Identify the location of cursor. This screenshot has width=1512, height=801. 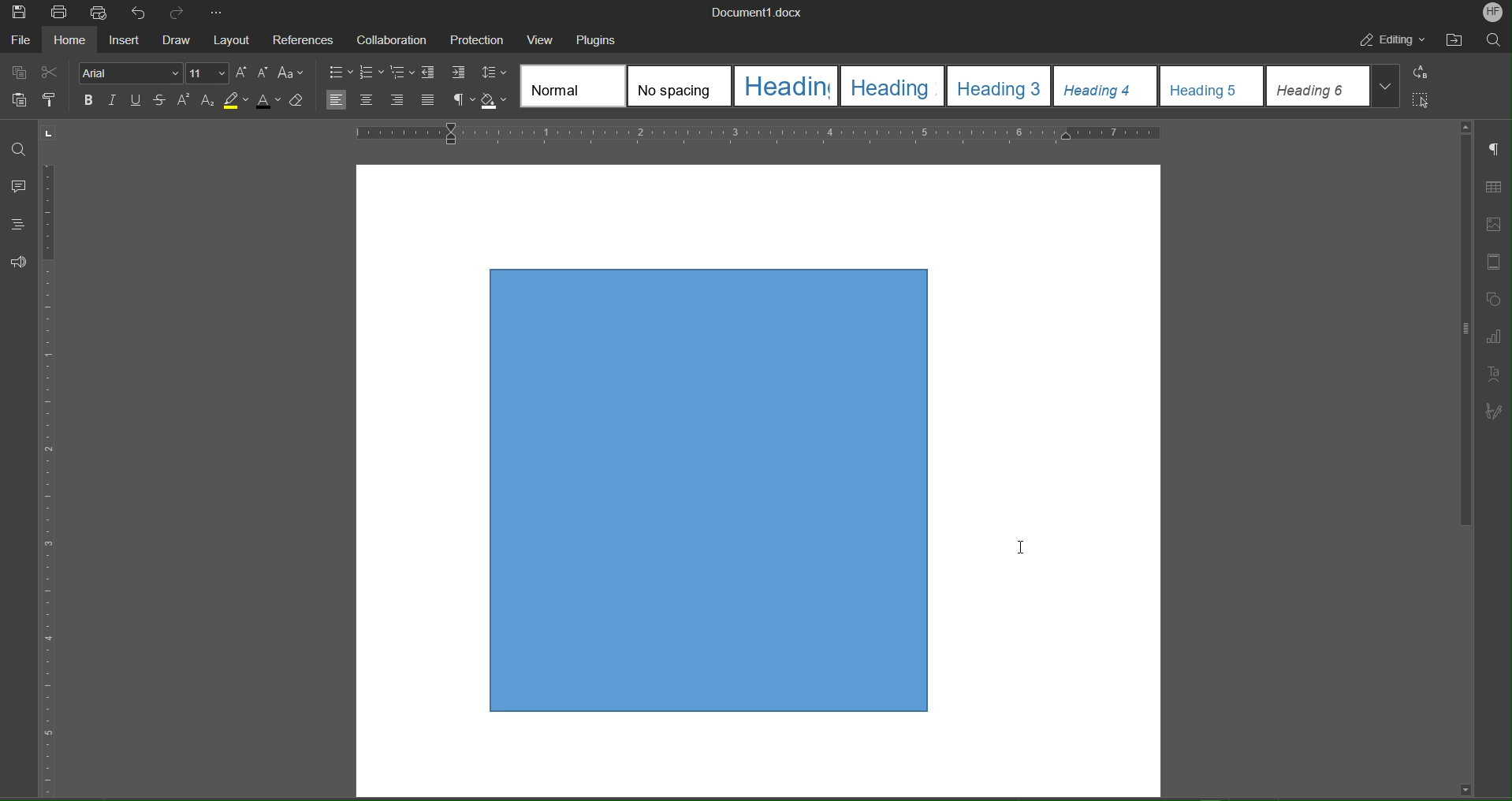
(1026, 542).